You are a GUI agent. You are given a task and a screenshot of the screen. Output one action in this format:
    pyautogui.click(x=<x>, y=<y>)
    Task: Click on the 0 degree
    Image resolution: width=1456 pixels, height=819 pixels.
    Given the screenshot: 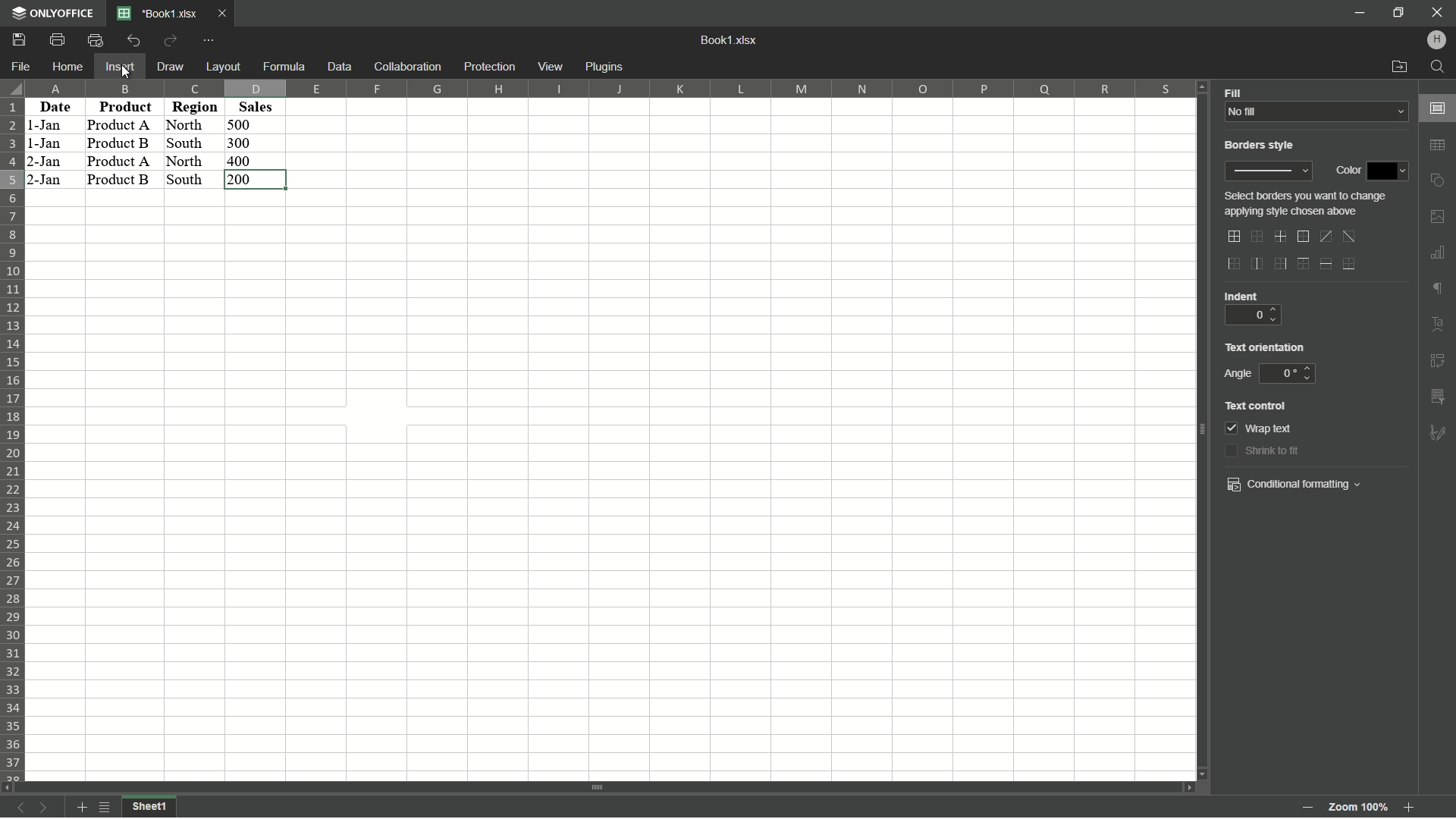 What is the action you would take?
    pyautogui.click(x=1285, y=374)
    